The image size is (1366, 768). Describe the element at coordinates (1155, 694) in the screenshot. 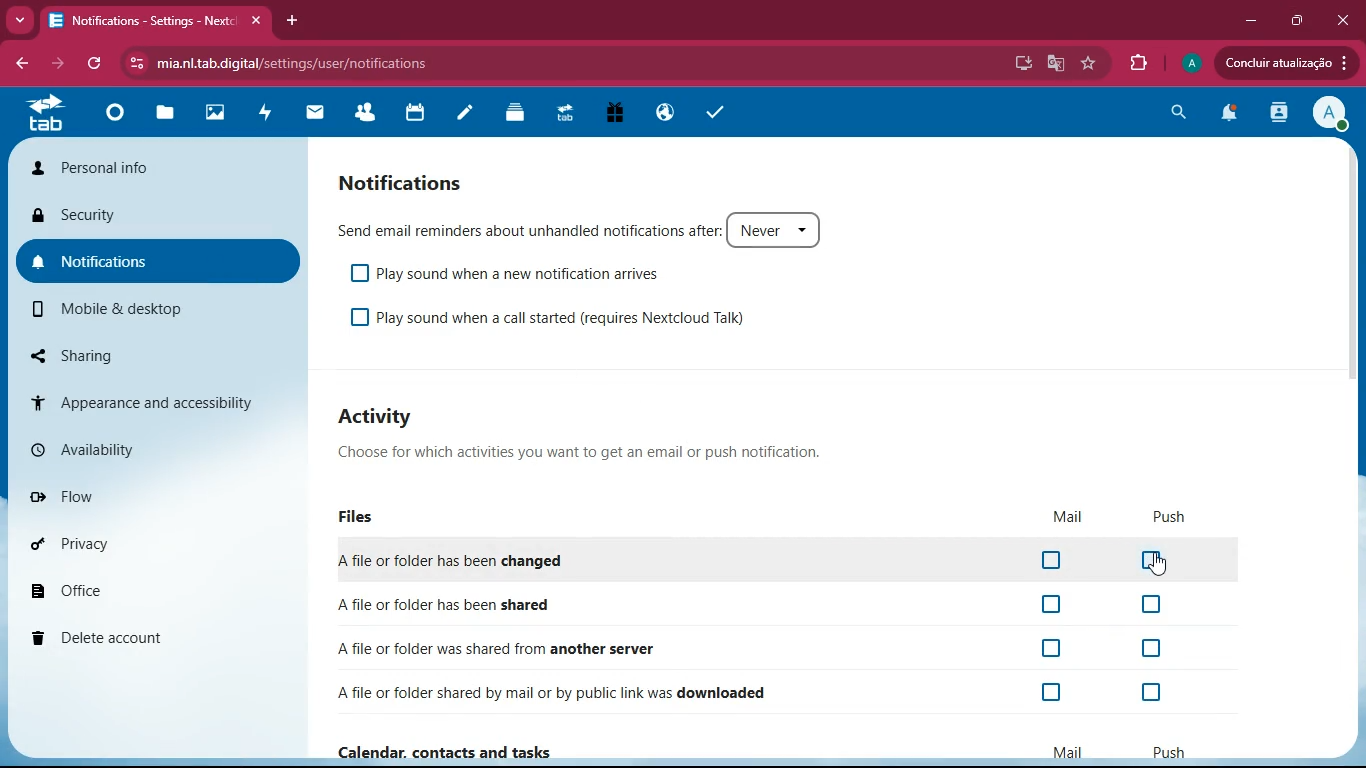

I see `off` at that location.